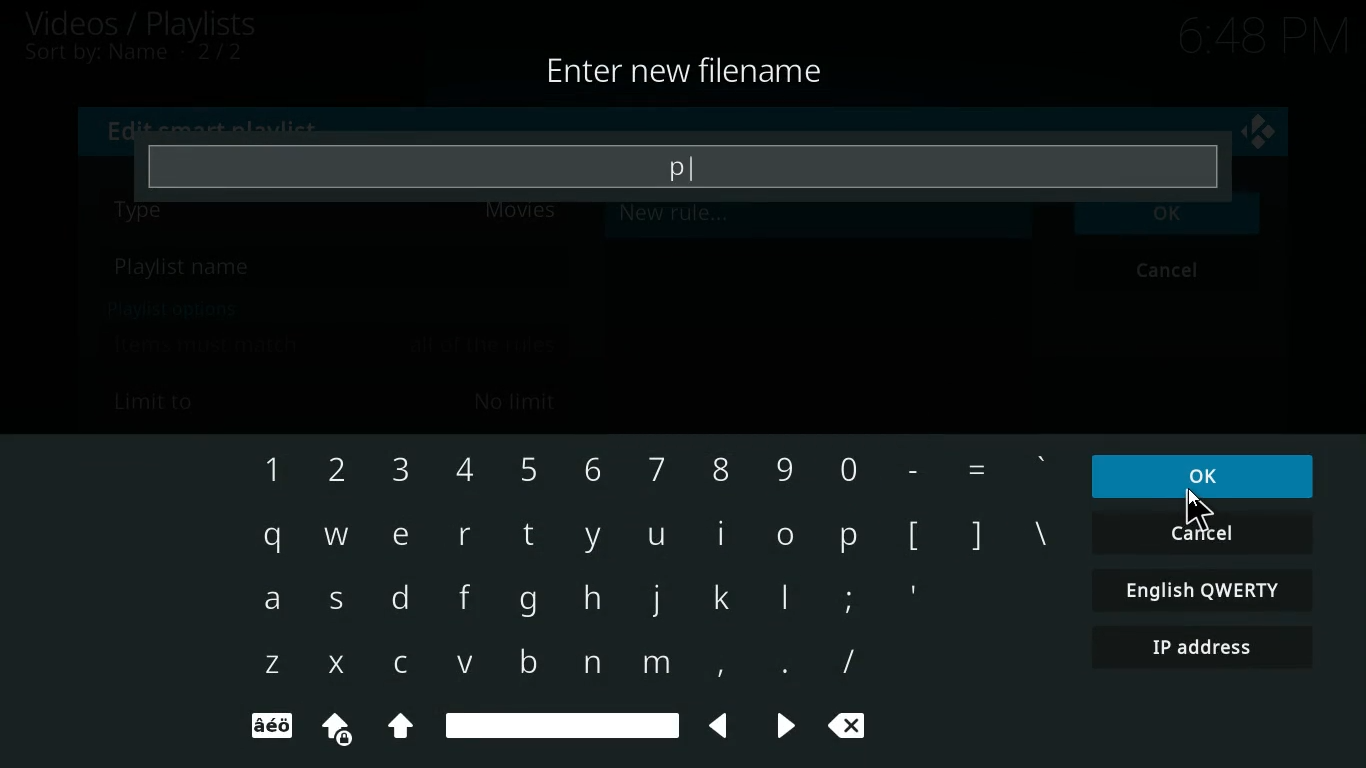  Describe the element at coordinates (588, 468) in the screenshot. I see `6` at that location.